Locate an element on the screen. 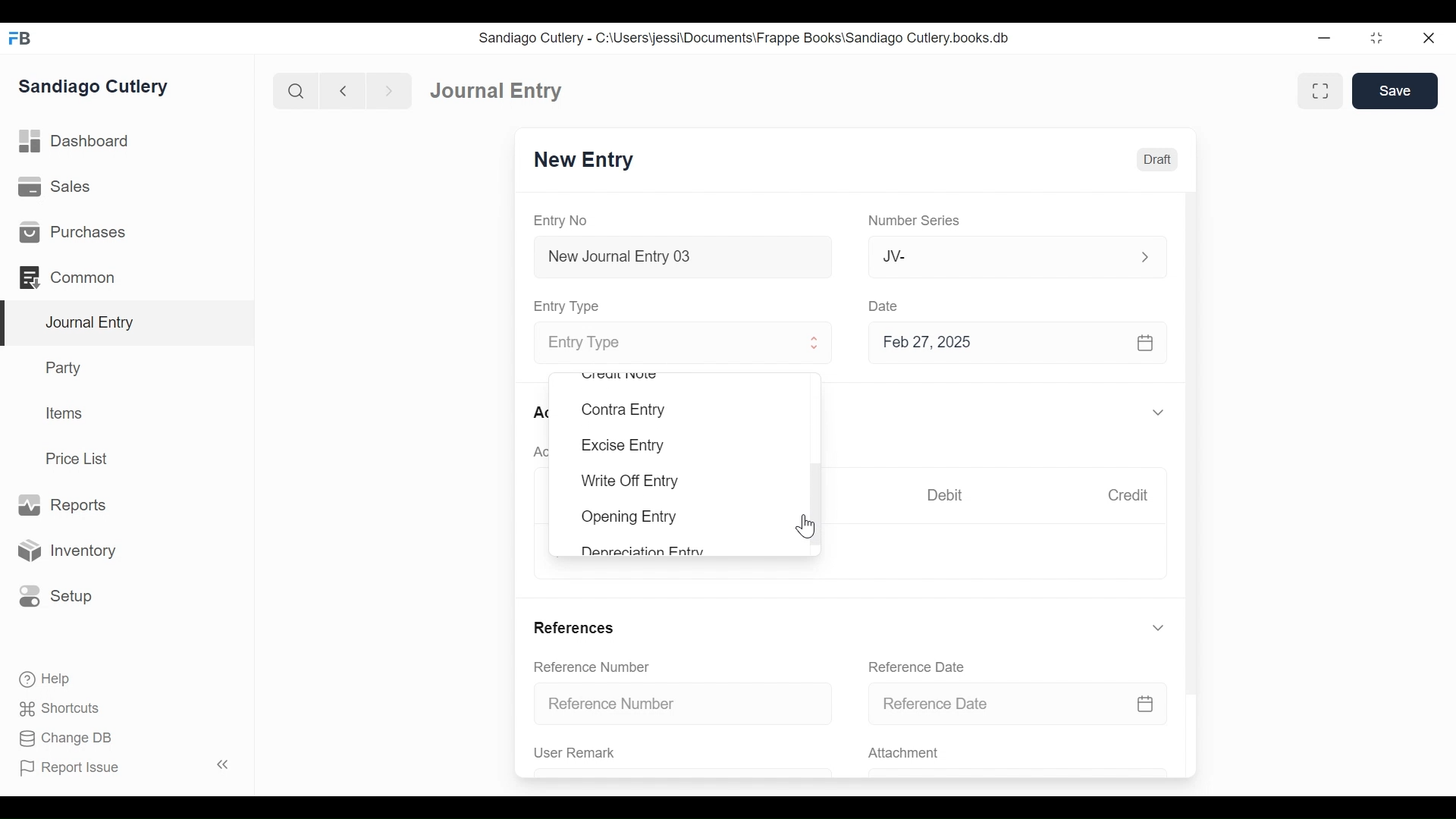  Navigate back is located at coordinates (341, 91).